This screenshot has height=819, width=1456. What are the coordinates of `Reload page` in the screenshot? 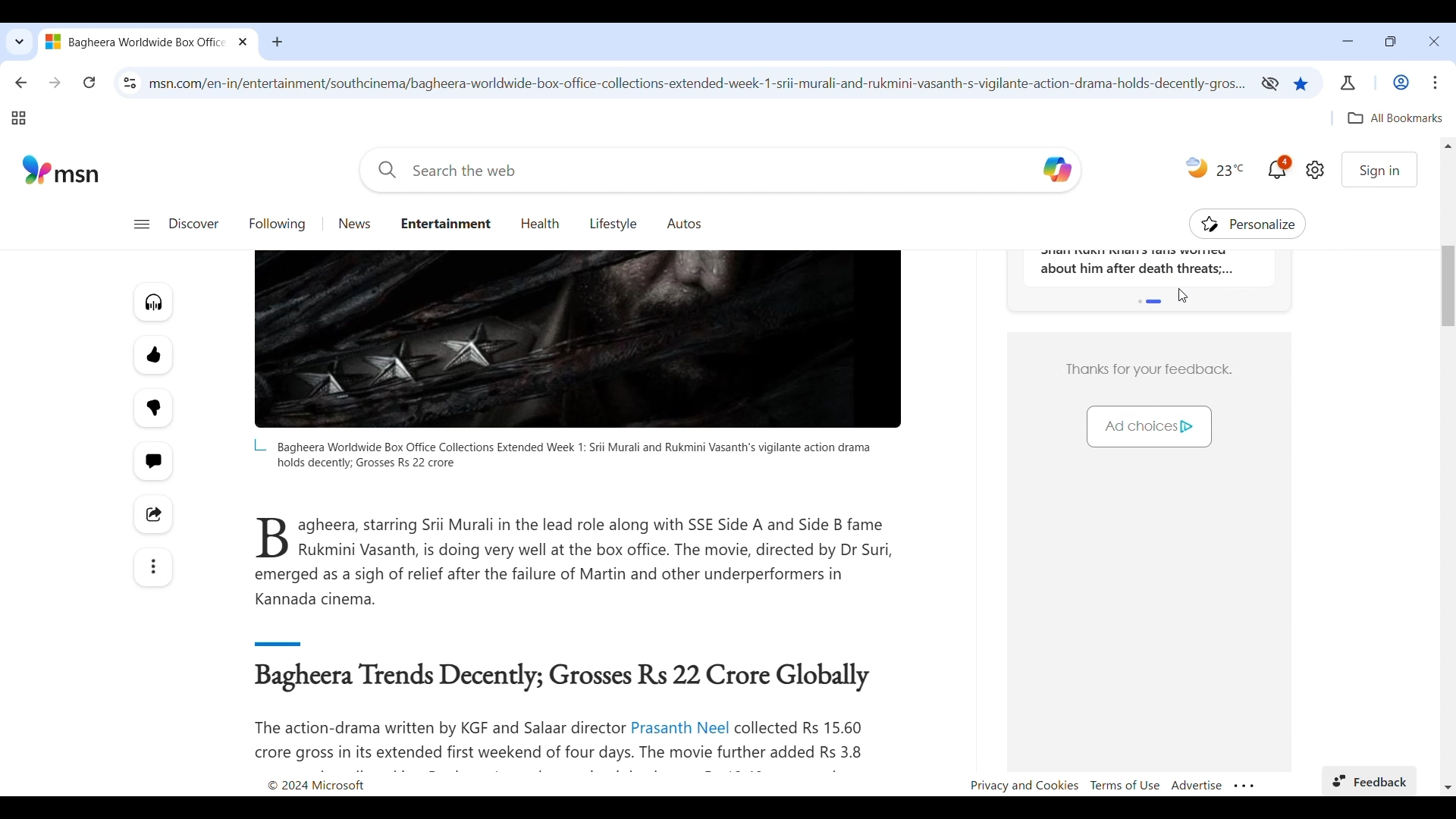 It's located at (89, 82).